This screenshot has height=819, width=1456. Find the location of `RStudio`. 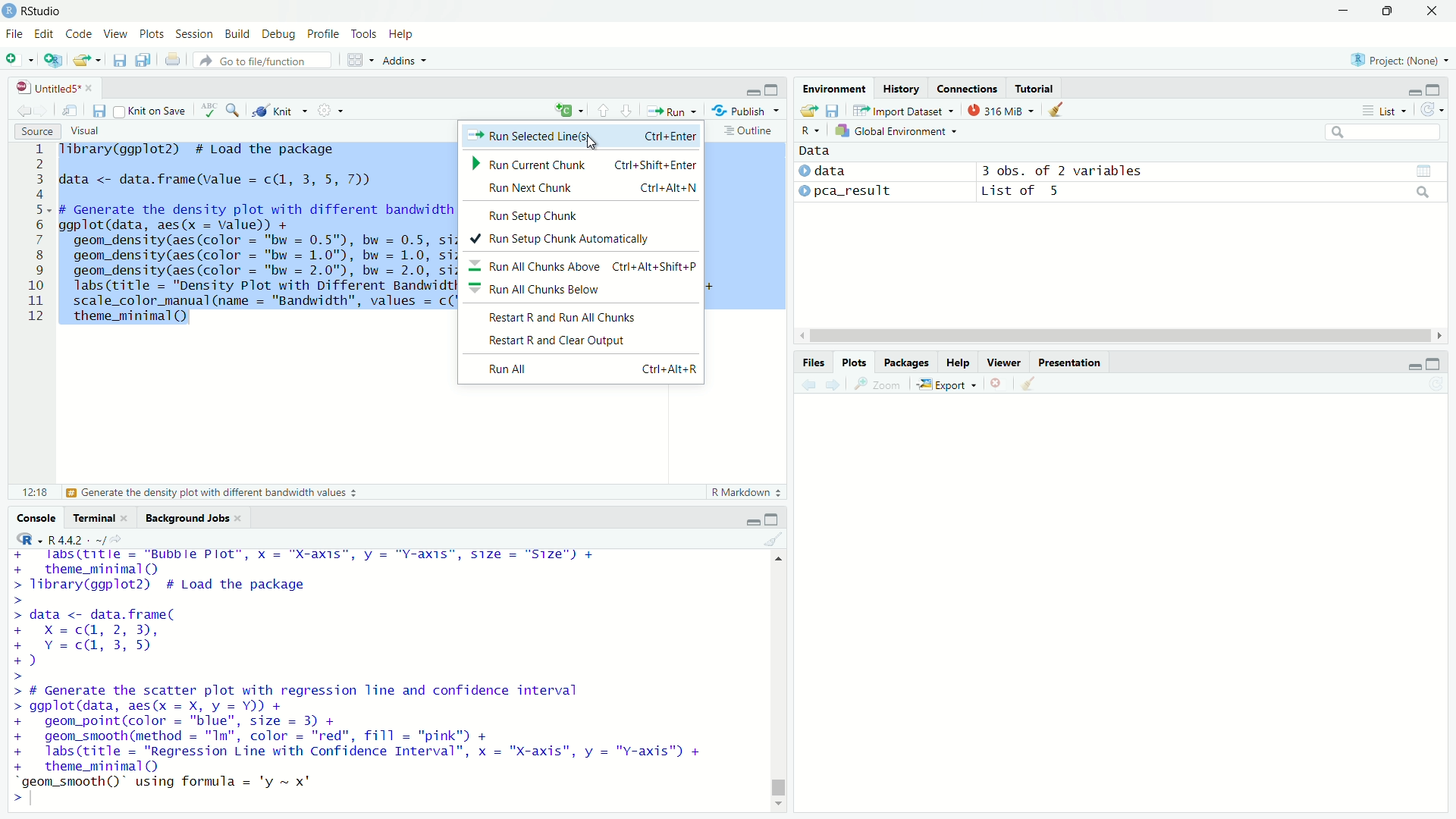

RStudio is located at coordinates (32, 11).